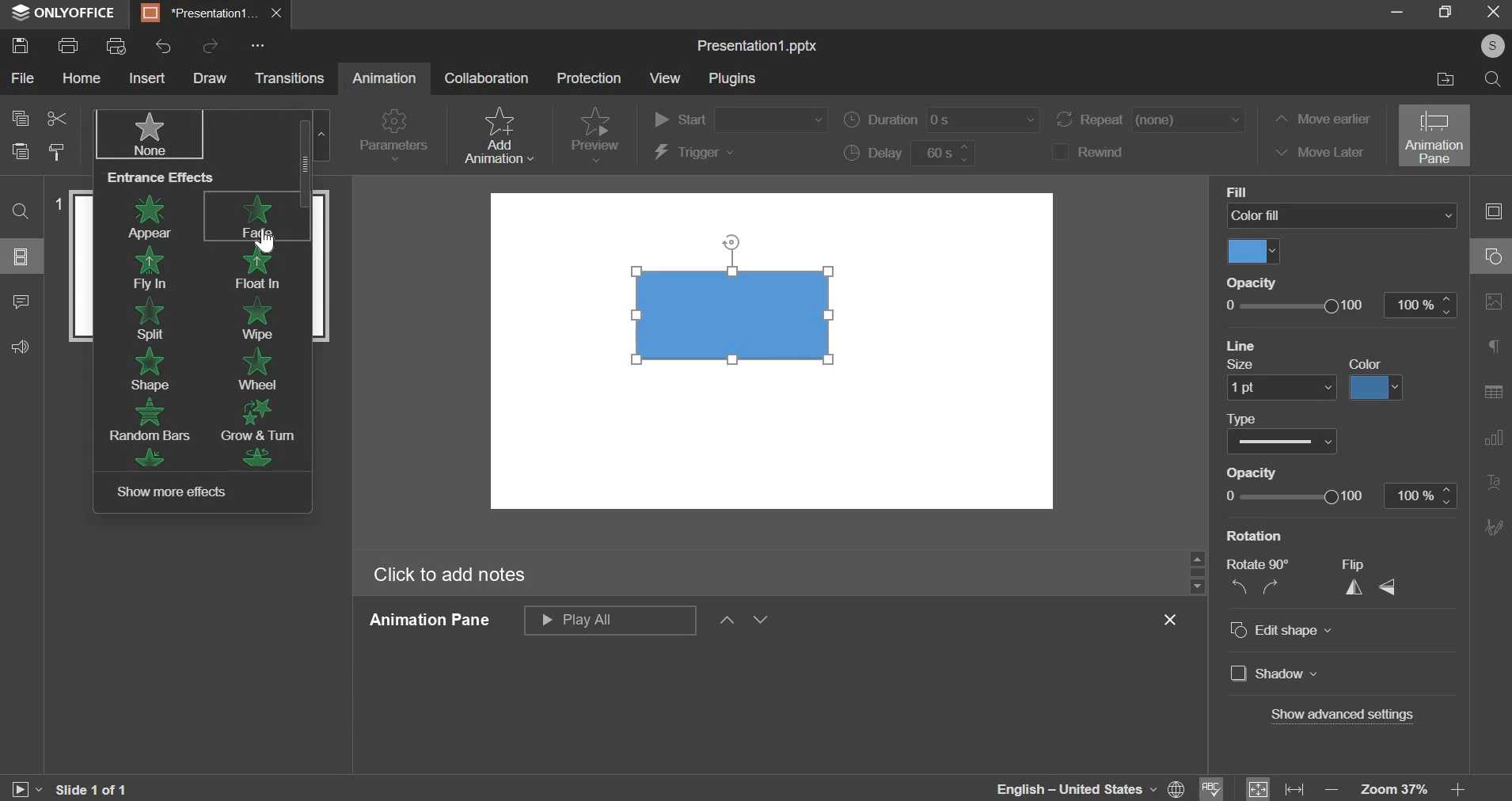 The image size is (1512, 801). What do you see at coordinates (1492, 386) in the screenshot?
I see `Animation Pane` at bounding box center [1492, 386].